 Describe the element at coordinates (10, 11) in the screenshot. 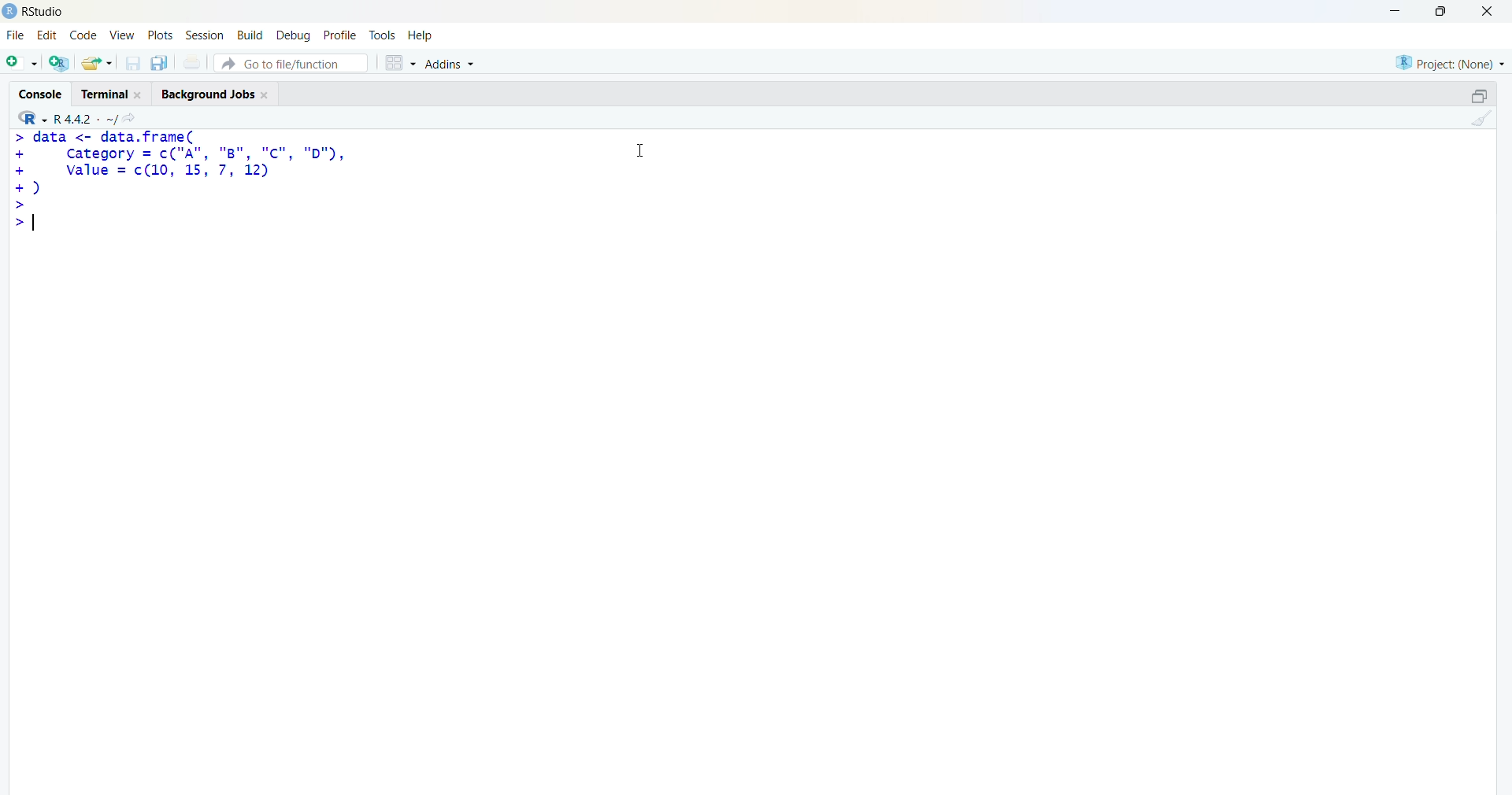

I see `logo` at that location.